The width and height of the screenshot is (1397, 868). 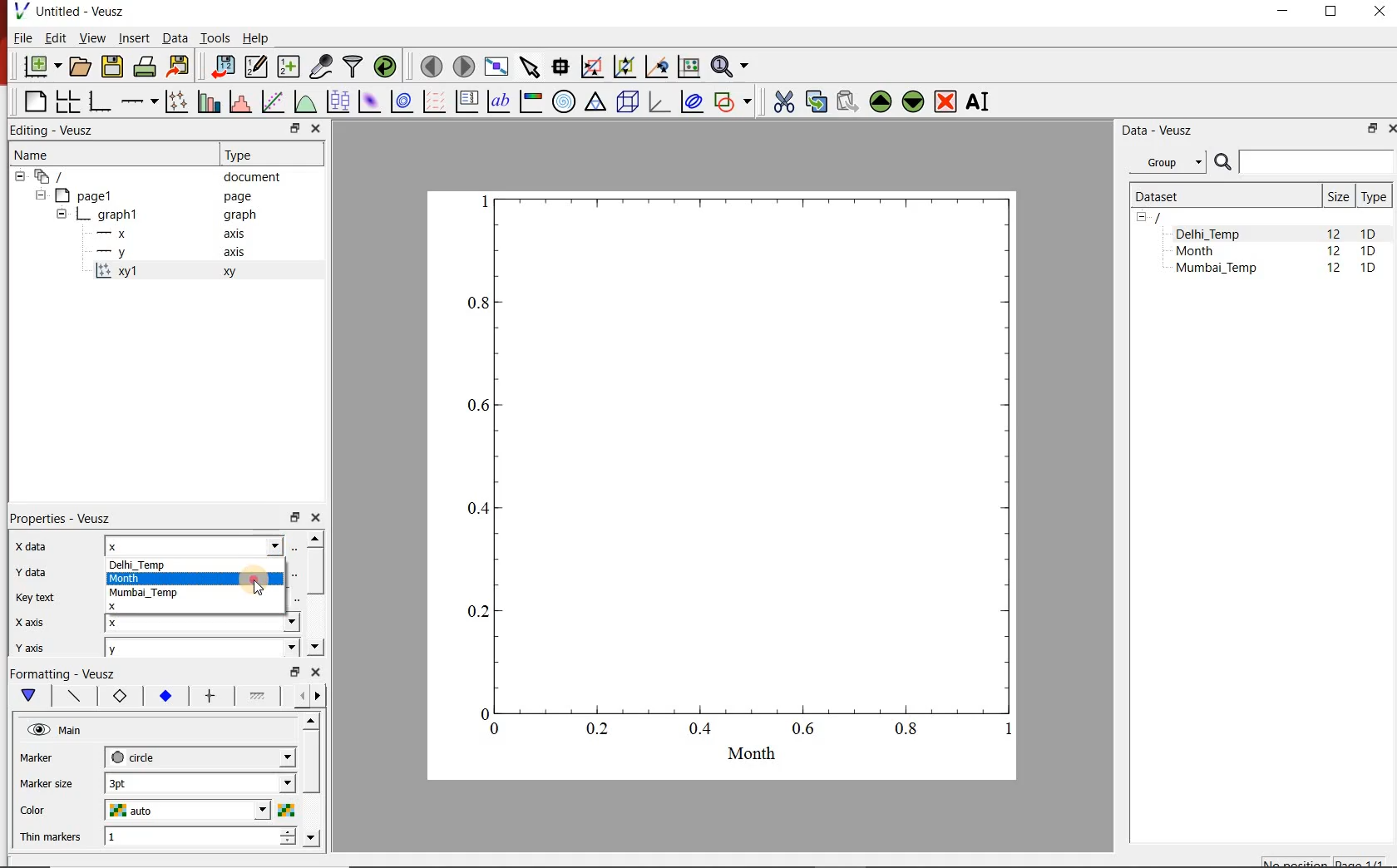 What do you see at coordinates (164, 693) in the screenshot?
I see `Tick labels` at bounding box center [164, 693].